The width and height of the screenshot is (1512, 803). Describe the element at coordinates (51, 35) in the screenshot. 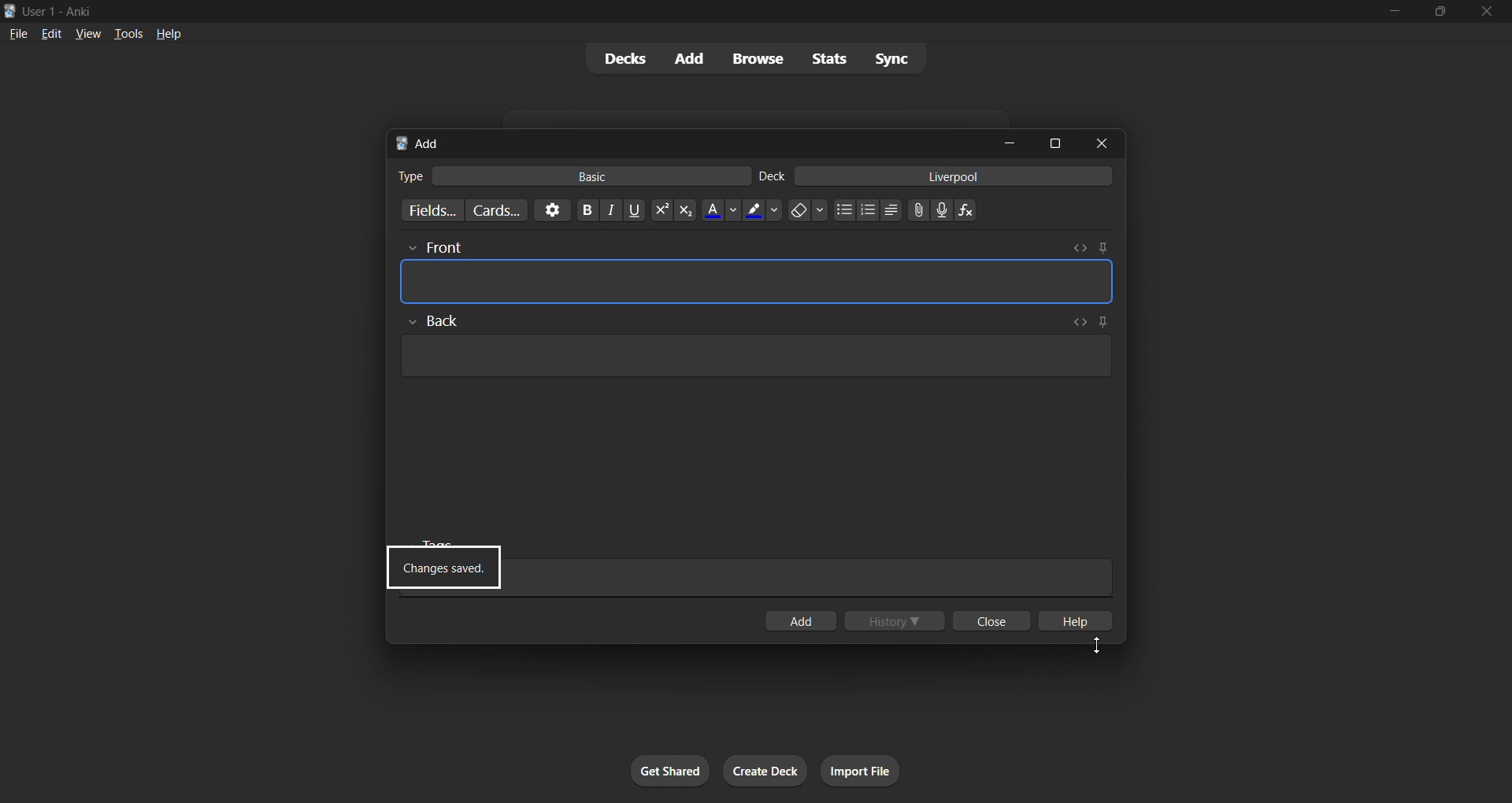

I see `edit` at that location.